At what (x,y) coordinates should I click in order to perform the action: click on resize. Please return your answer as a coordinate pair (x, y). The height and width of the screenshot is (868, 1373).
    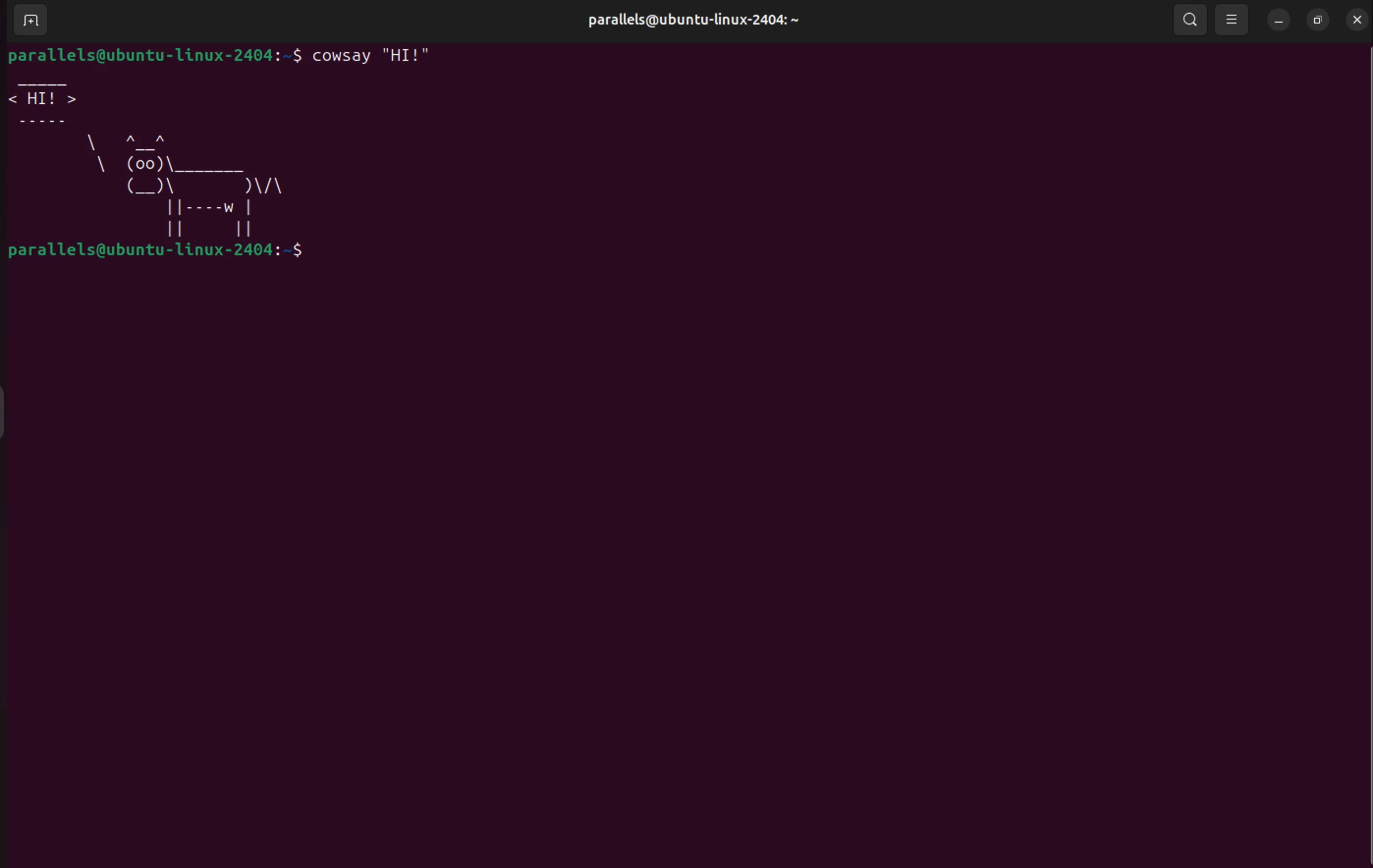
    Looking at the image, I should click on (1317, 21).